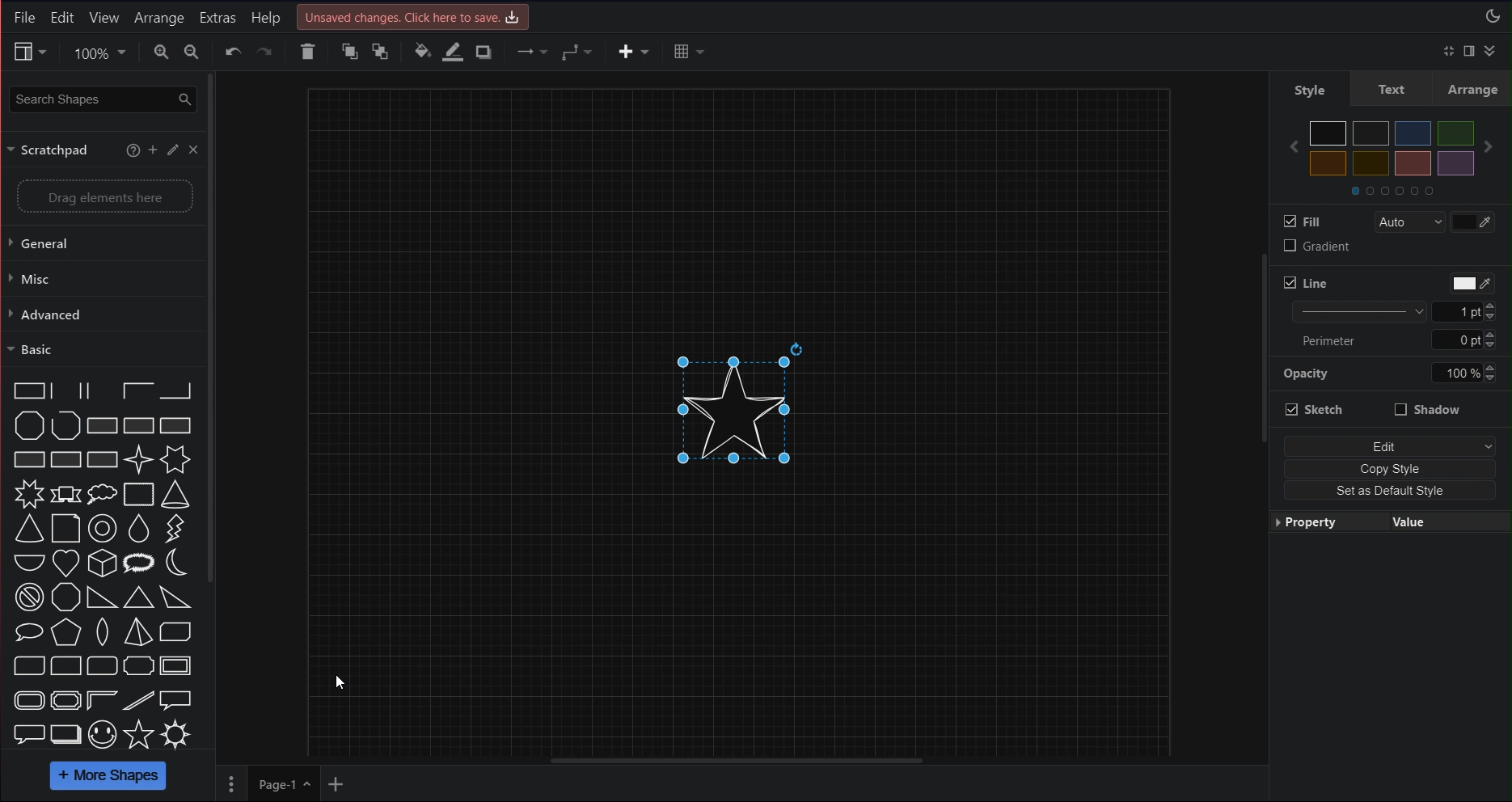  I want to click on Sketch, so click(1315, 409).